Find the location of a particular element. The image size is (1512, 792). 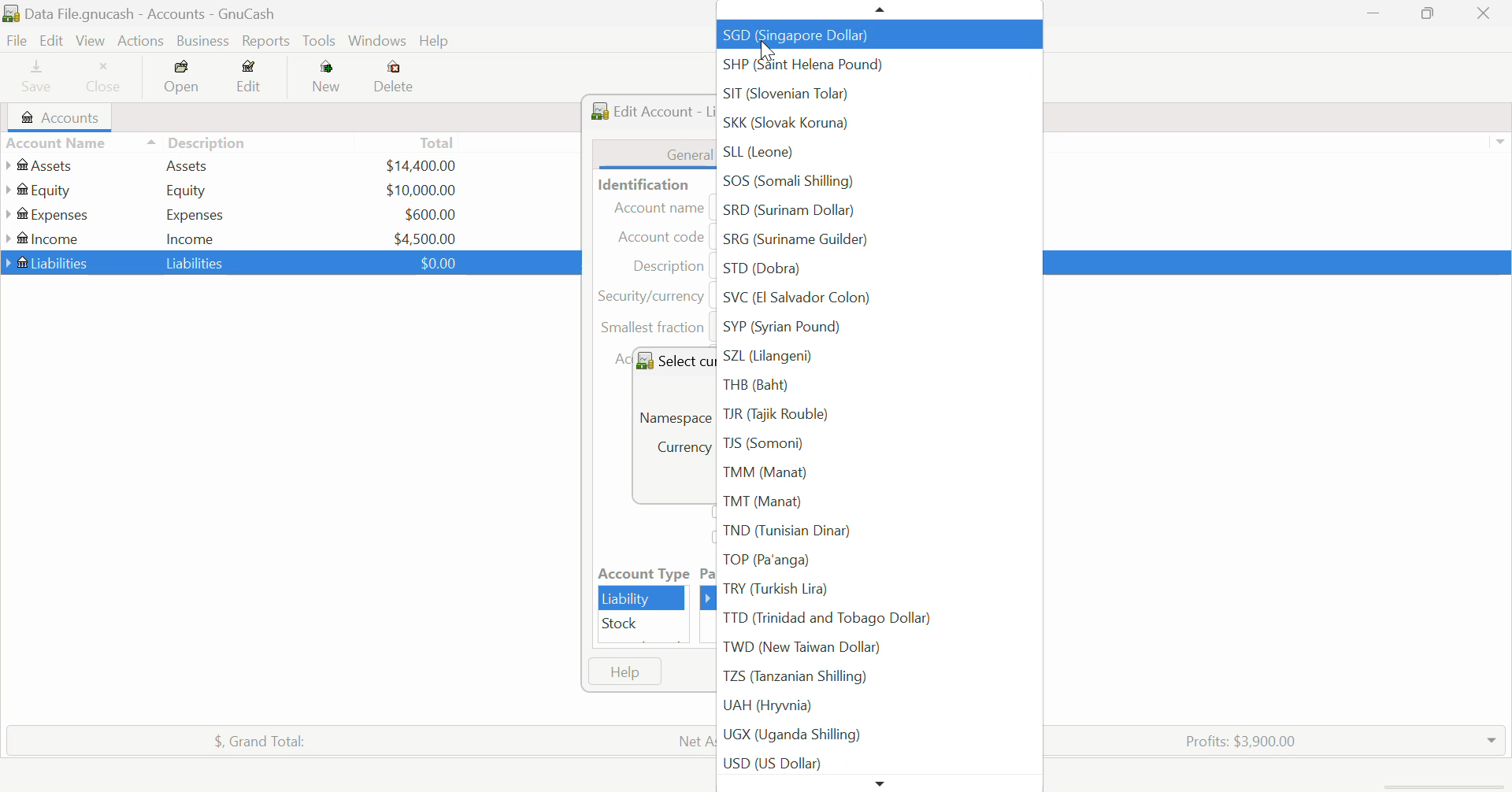

SRG is located at coordinates (873, 244).